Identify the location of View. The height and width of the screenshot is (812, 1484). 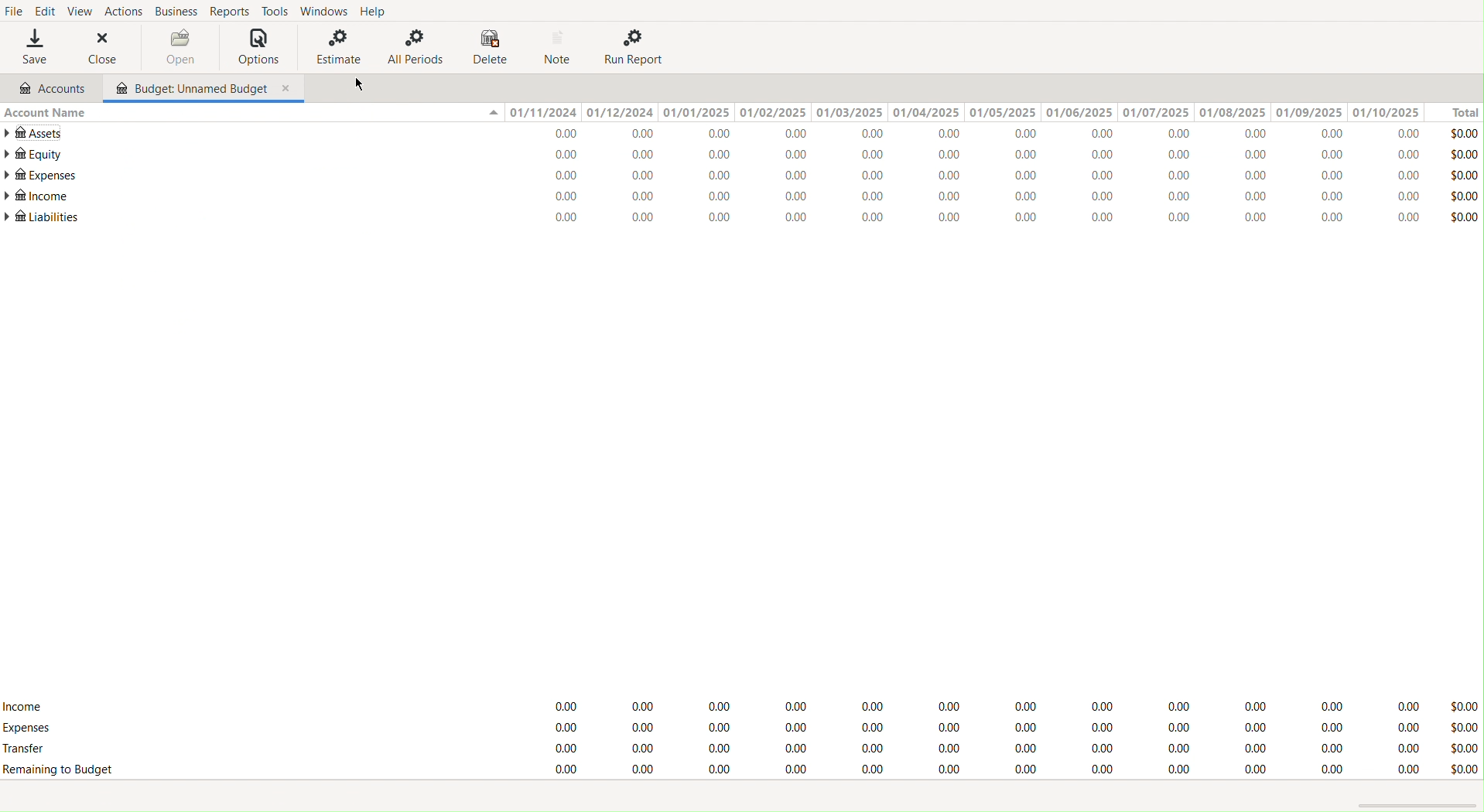
(80, 11).